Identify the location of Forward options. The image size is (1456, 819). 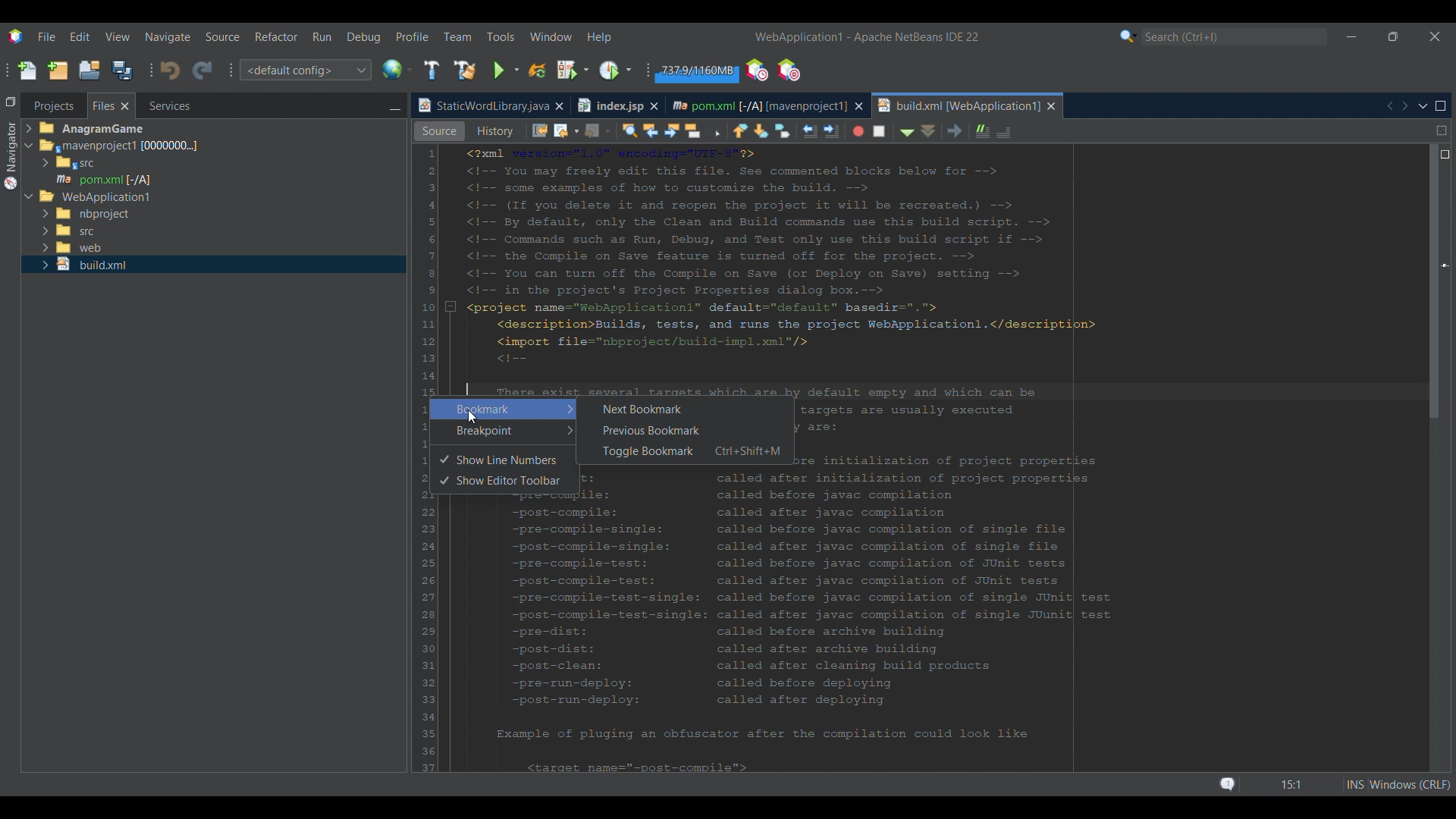
(730, 130).